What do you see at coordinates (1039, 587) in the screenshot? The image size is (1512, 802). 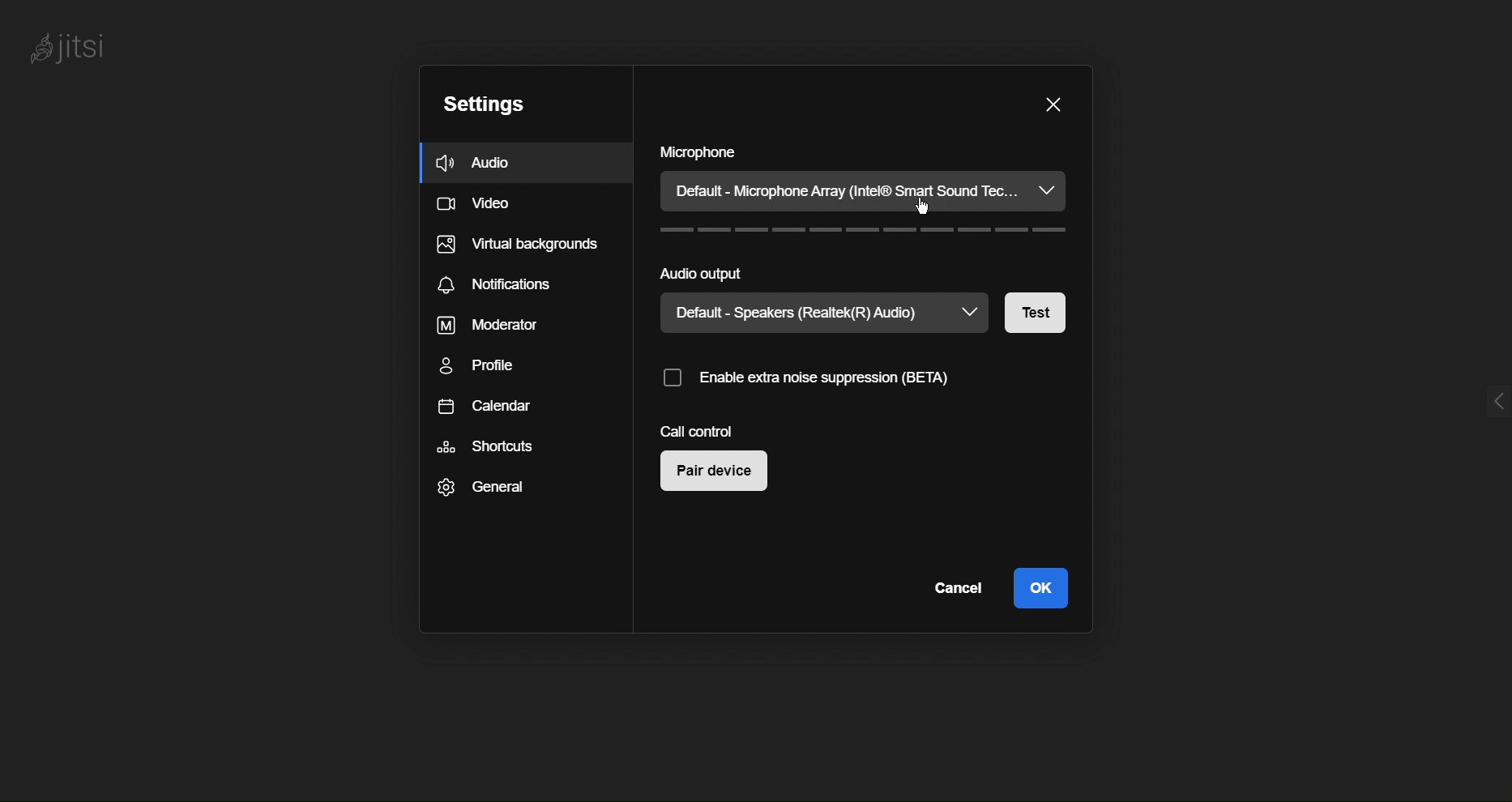 I see `OK` at bounding box center [1039, 587].